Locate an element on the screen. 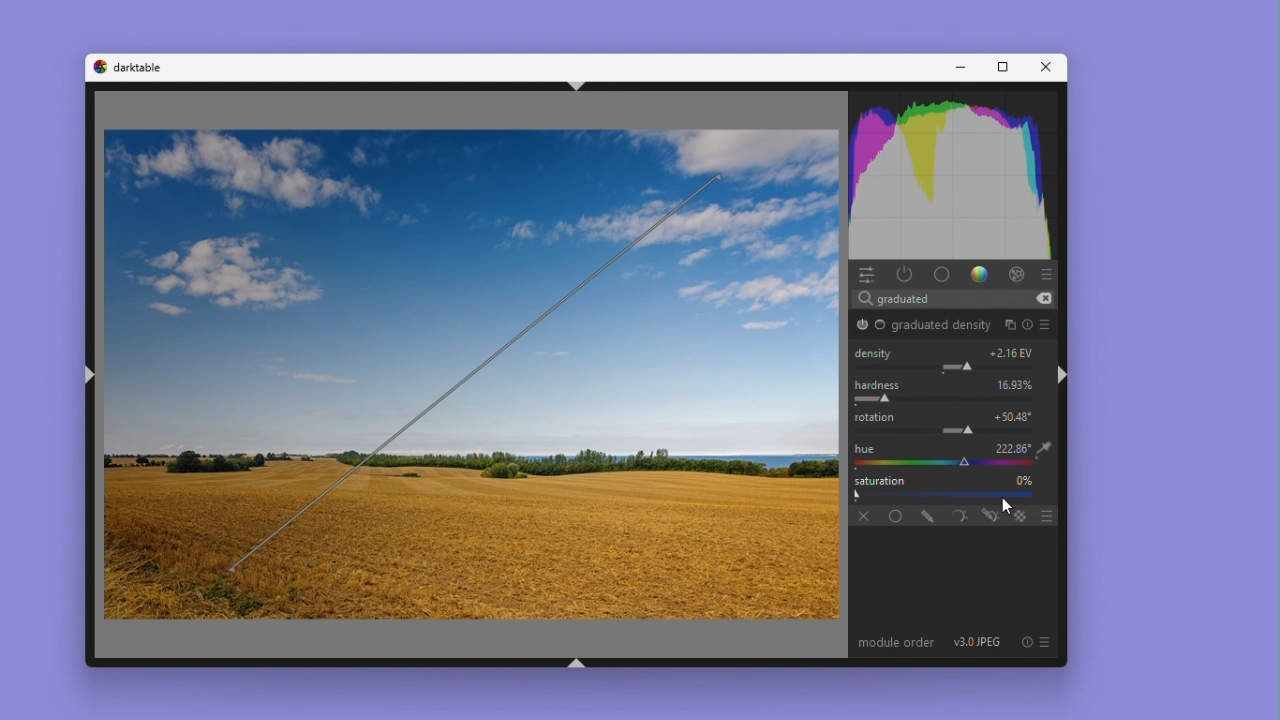 This screenshot has width=1280, height=720. Uniformly is located at coordinates (890, 514).